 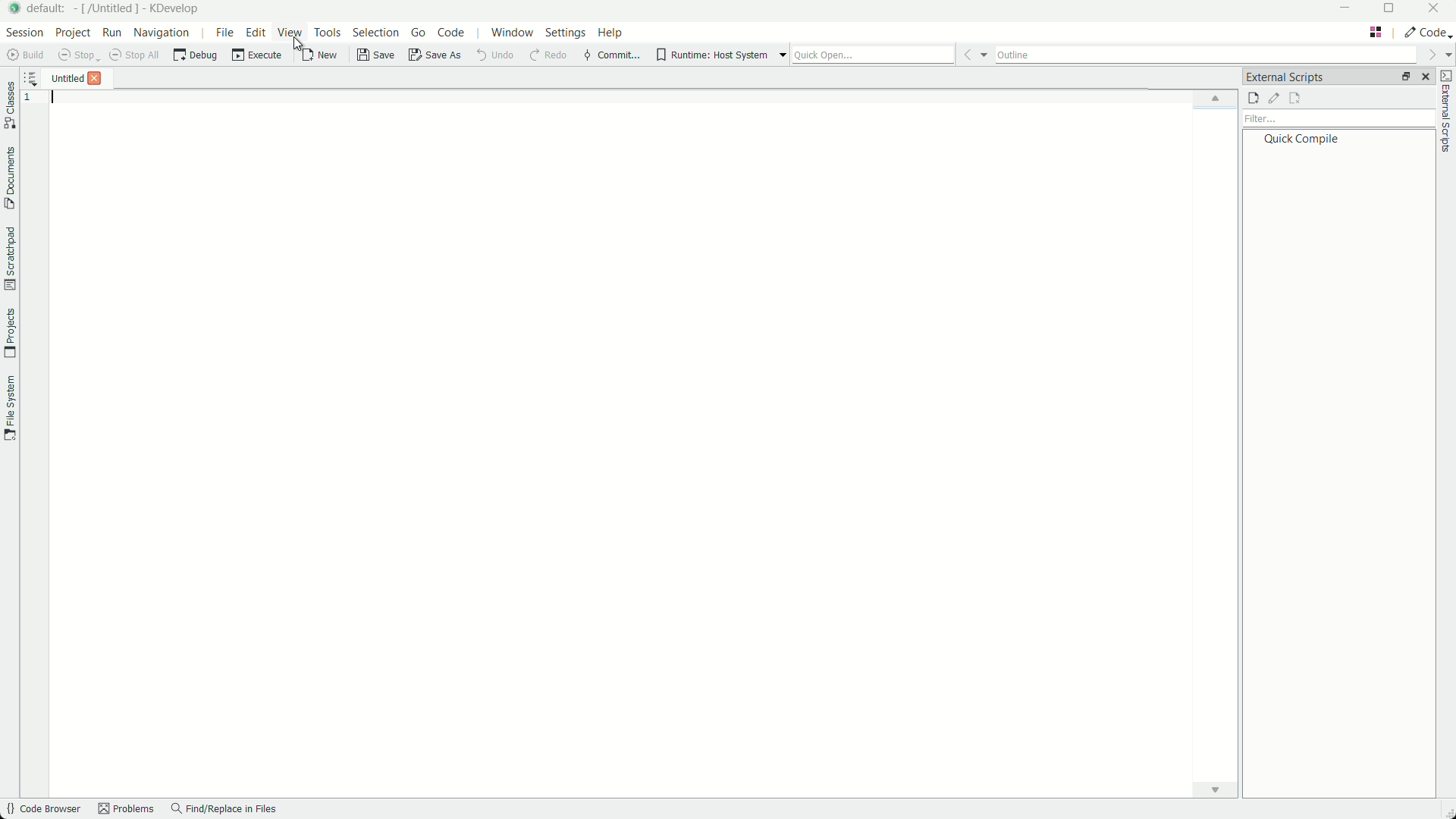 What do you see at coordinates (9, 259) in the screenshot?
I see `scratchpad` at bounding box center [9, 259].